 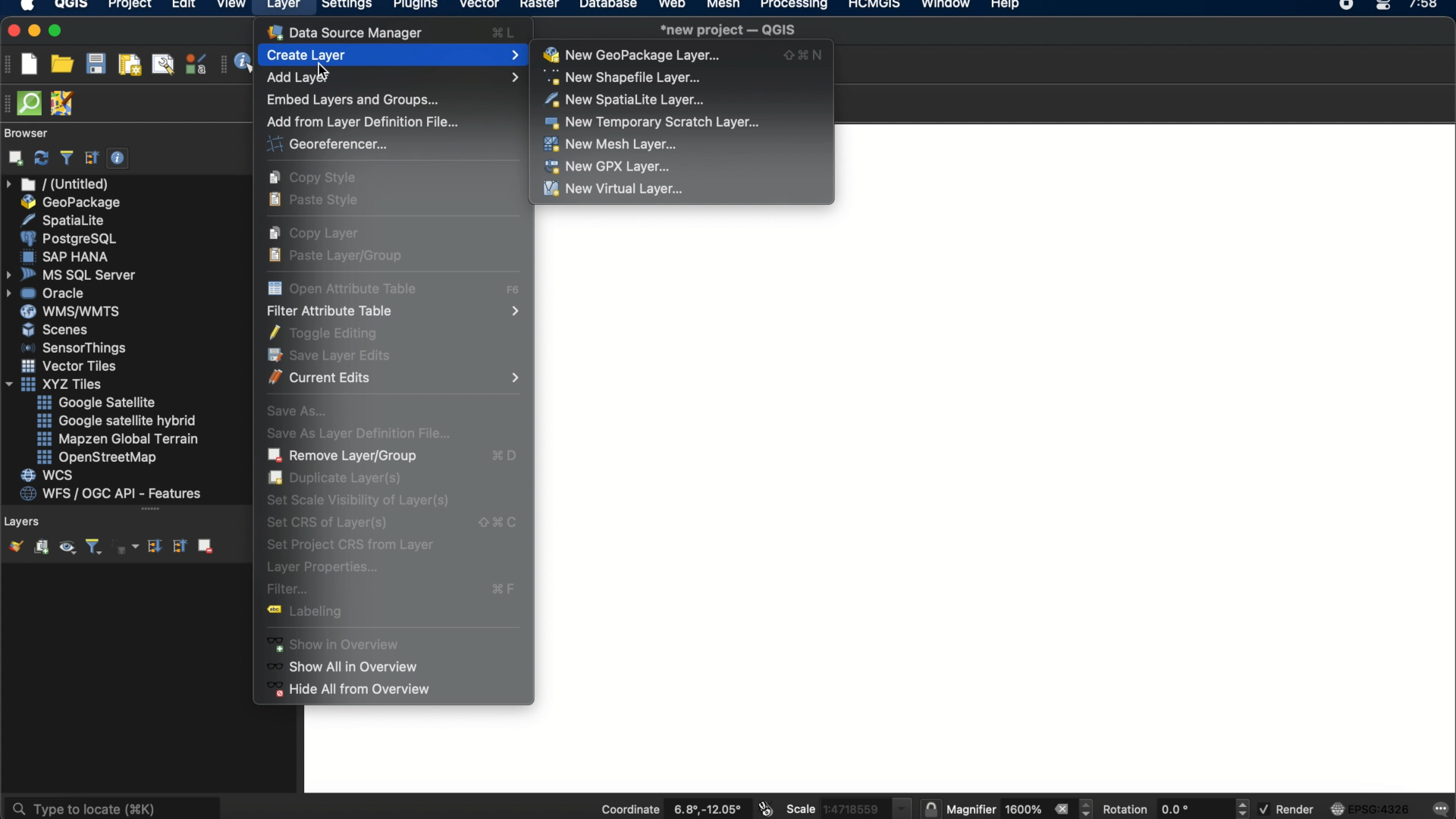 What do you see at coordinates (71, 366) in the screenshot?
I see `vector tiles` at bounding box center [71, 366].